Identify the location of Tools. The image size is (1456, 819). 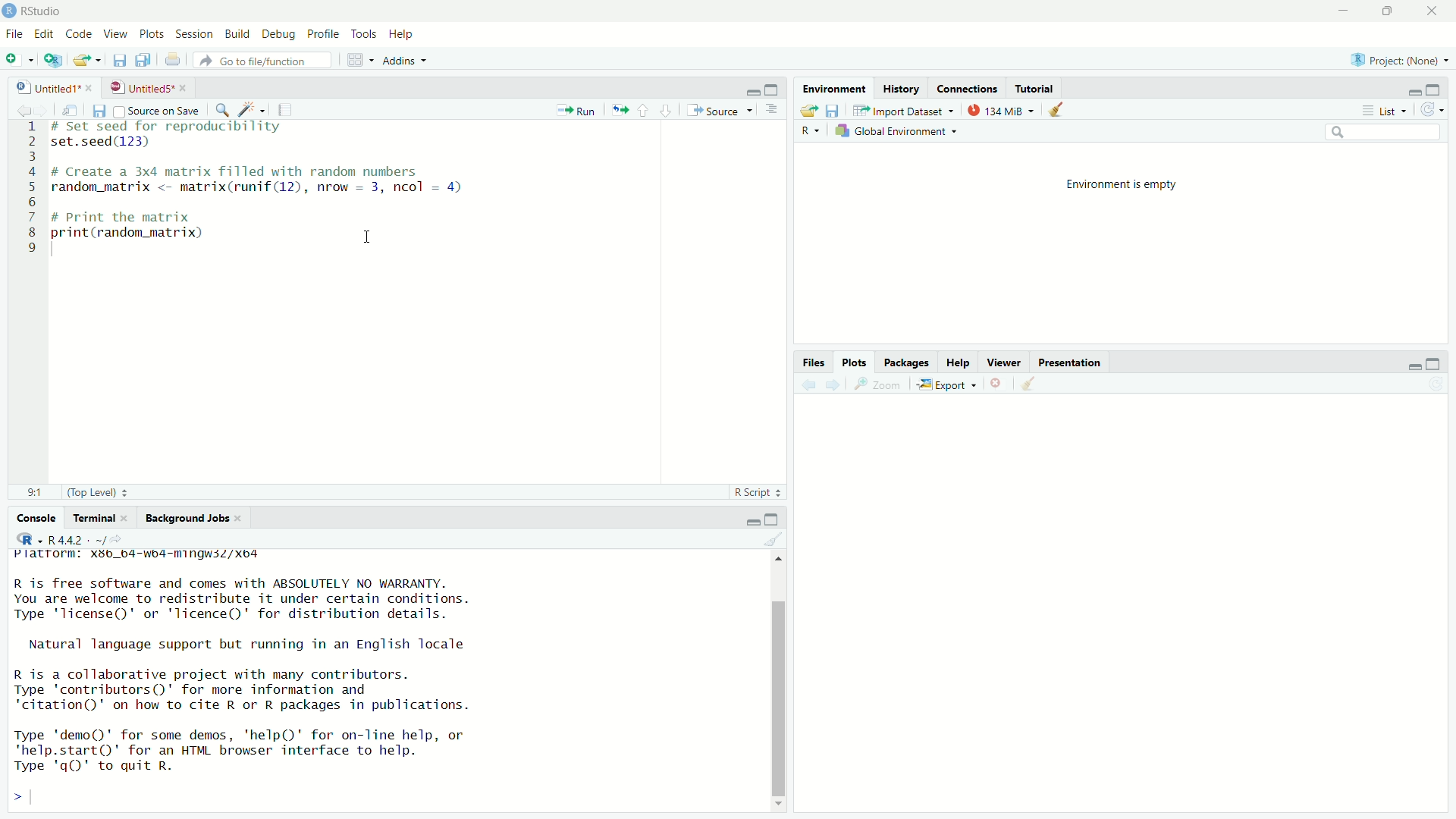
(362, 33).